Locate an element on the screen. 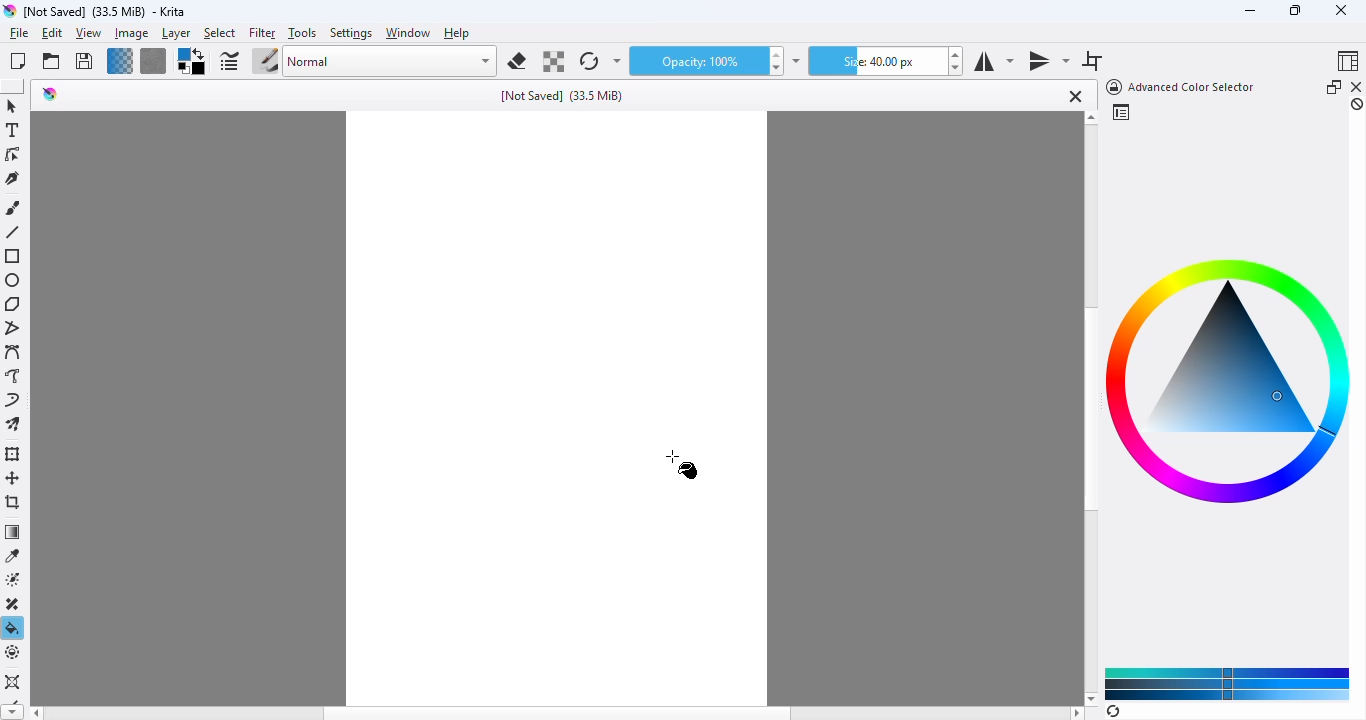 The height and width of the screenshot is (720, 1366). logo is located at coordinates (9, 11).